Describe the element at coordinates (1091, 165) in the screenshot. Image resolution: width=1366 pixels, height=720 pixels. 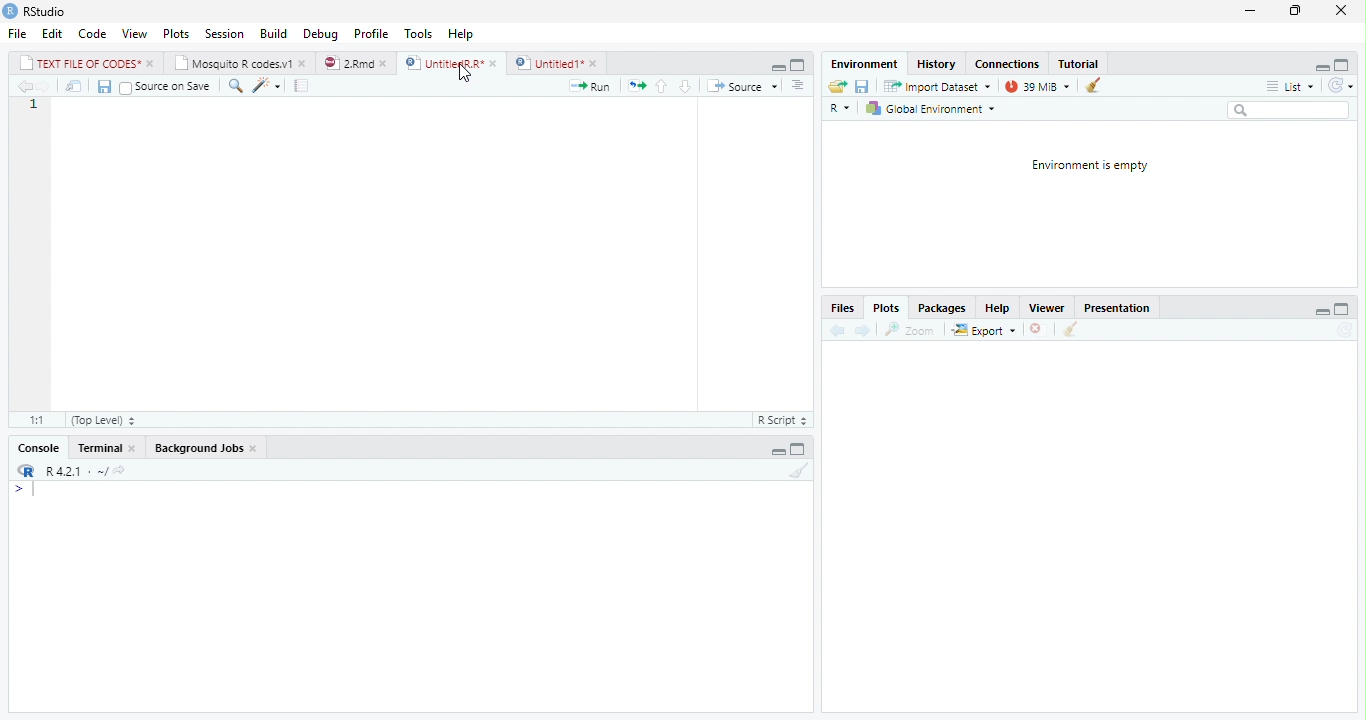
I see `Environment is empty` at that location.